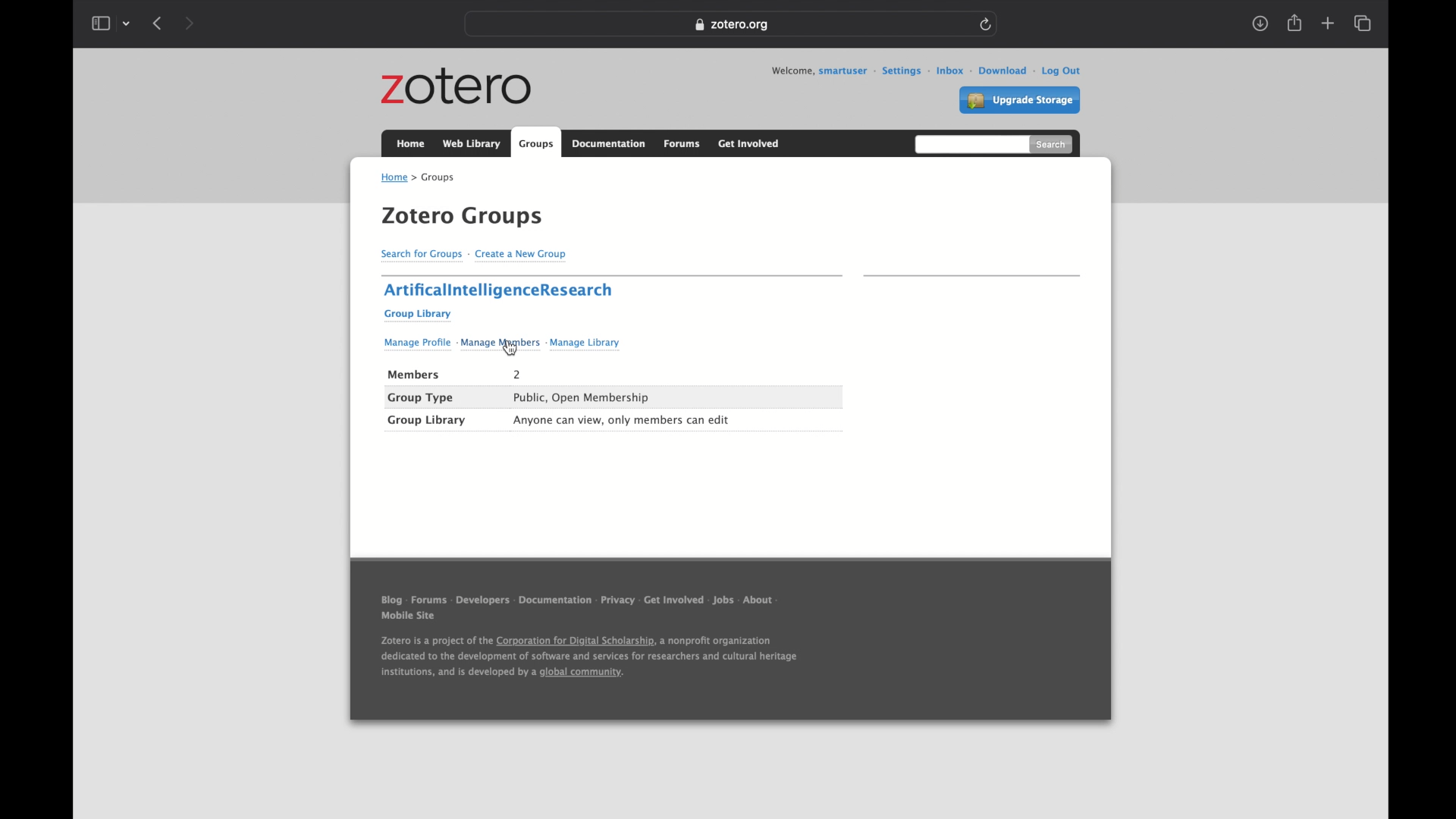 The width and height of the screenshot is (1456, 819). Describe the element at coordinates (762, 601) in the screenshot. I see `about` at that location.